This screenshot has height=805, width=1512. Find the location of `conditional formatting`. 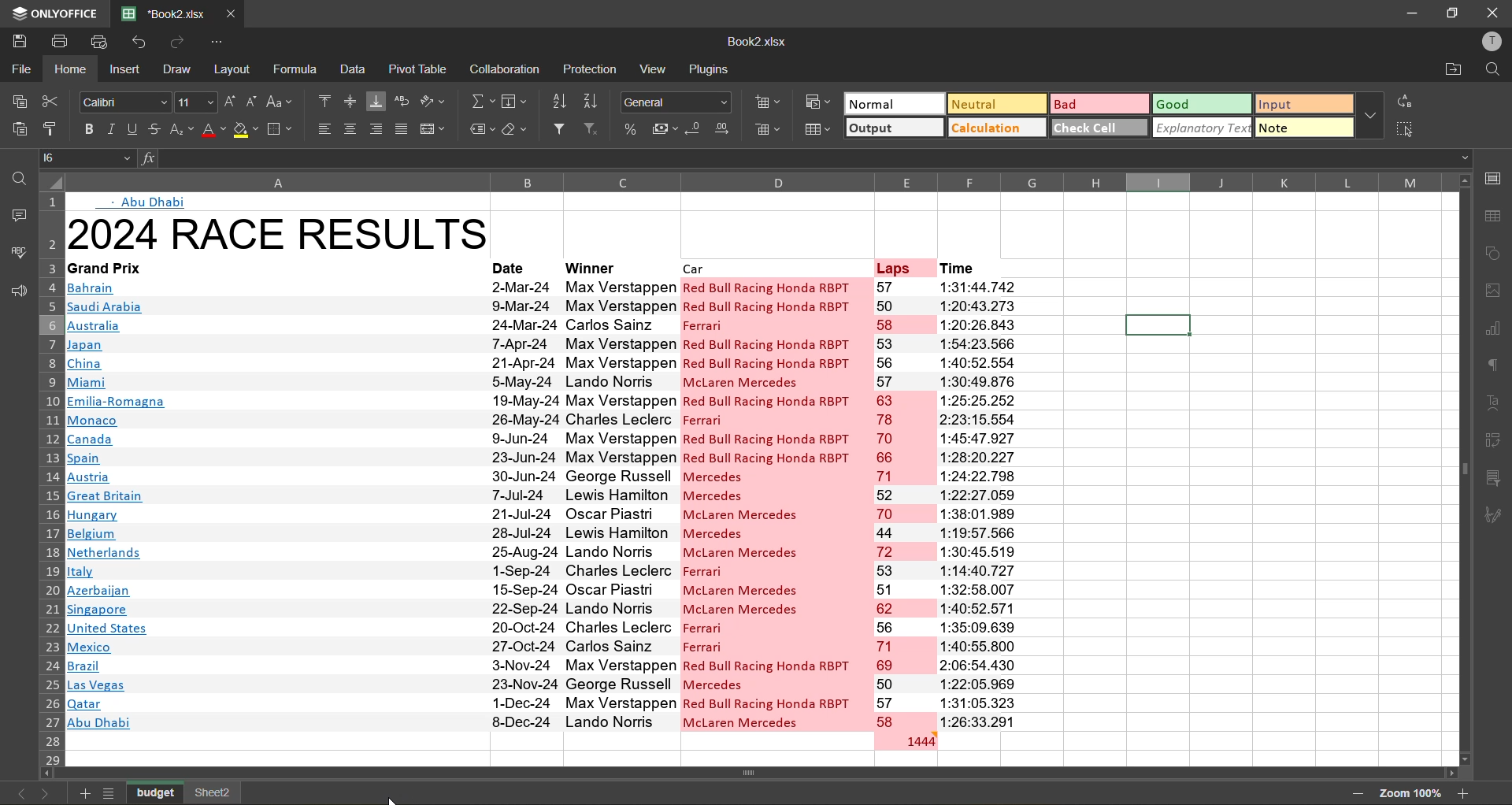

conditional formatting is located at coordinates (817, 102).